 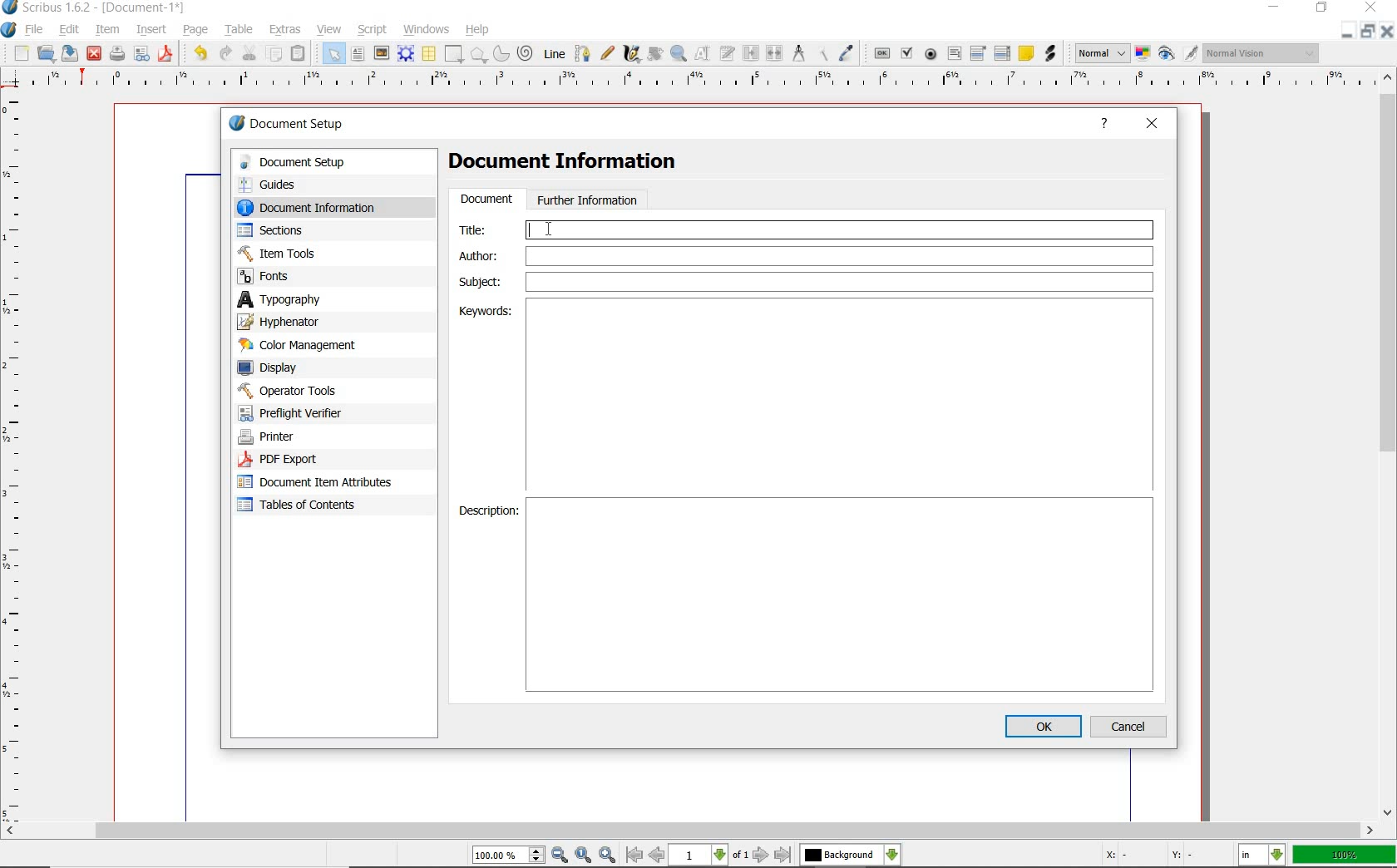 What do you see at coordinates (979, 54) in the screenshot?
I see `pdf combo box` at bounding box center [979, 54].